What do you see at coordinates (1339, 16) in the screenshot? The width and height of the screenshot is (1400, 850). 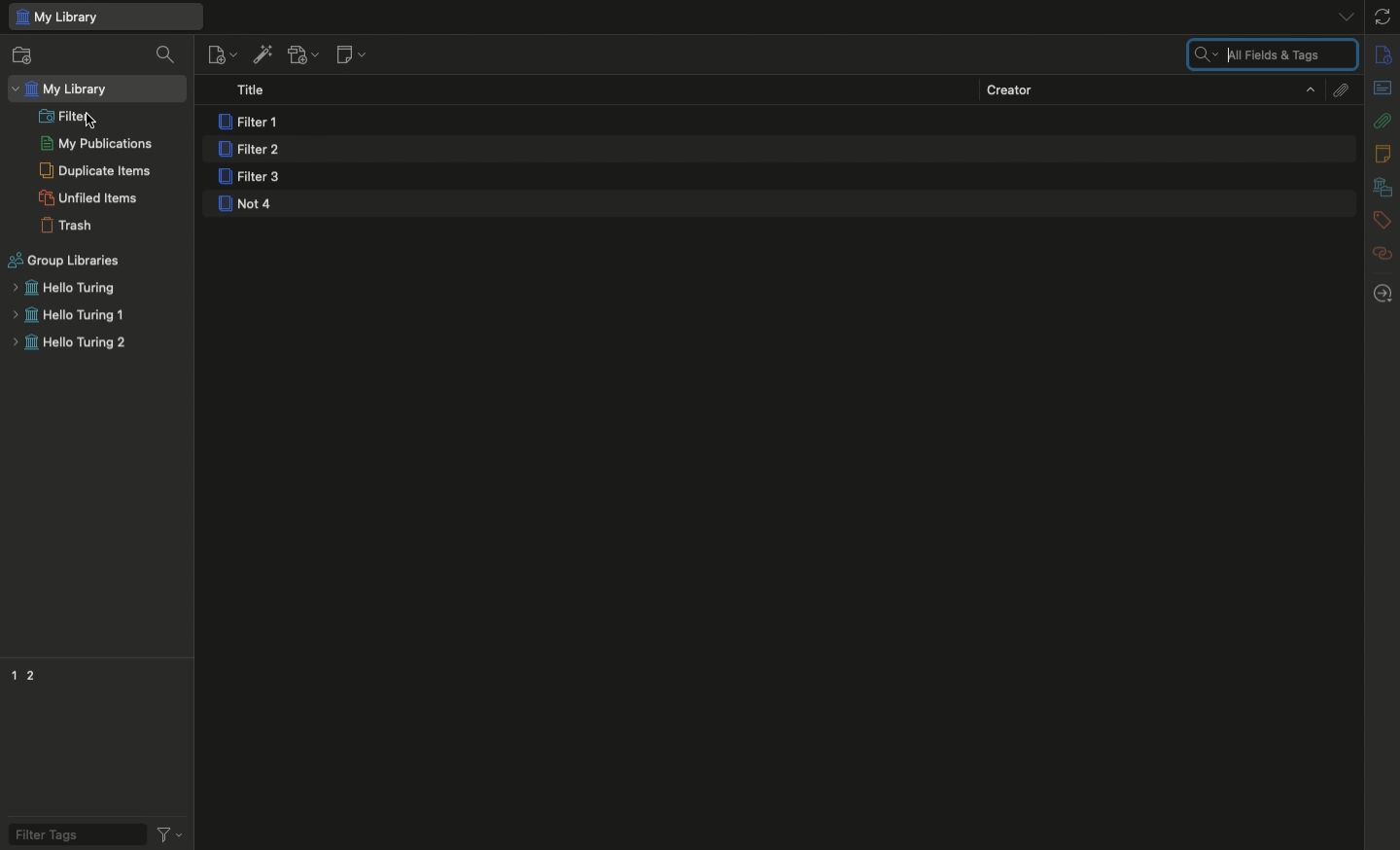 I see `List all tabs` at bounding box center [1339, 16].